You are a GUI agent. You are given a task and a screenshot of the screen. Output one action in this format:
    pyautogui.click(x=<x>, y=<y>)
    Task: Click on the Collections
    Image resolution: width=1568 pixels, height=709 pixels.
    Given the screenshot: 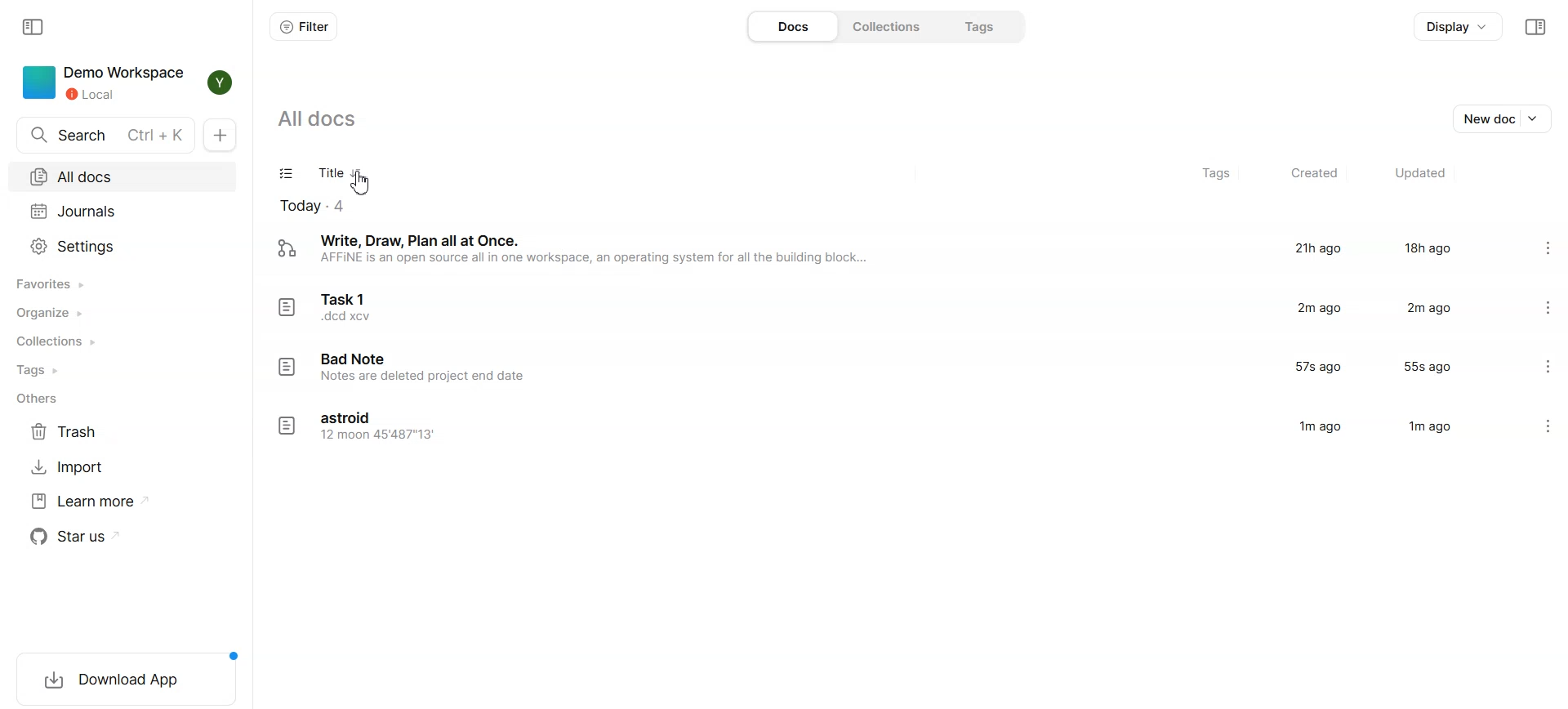 What is the action you would take?
    pyautogui.click(x=69, y=341)
    